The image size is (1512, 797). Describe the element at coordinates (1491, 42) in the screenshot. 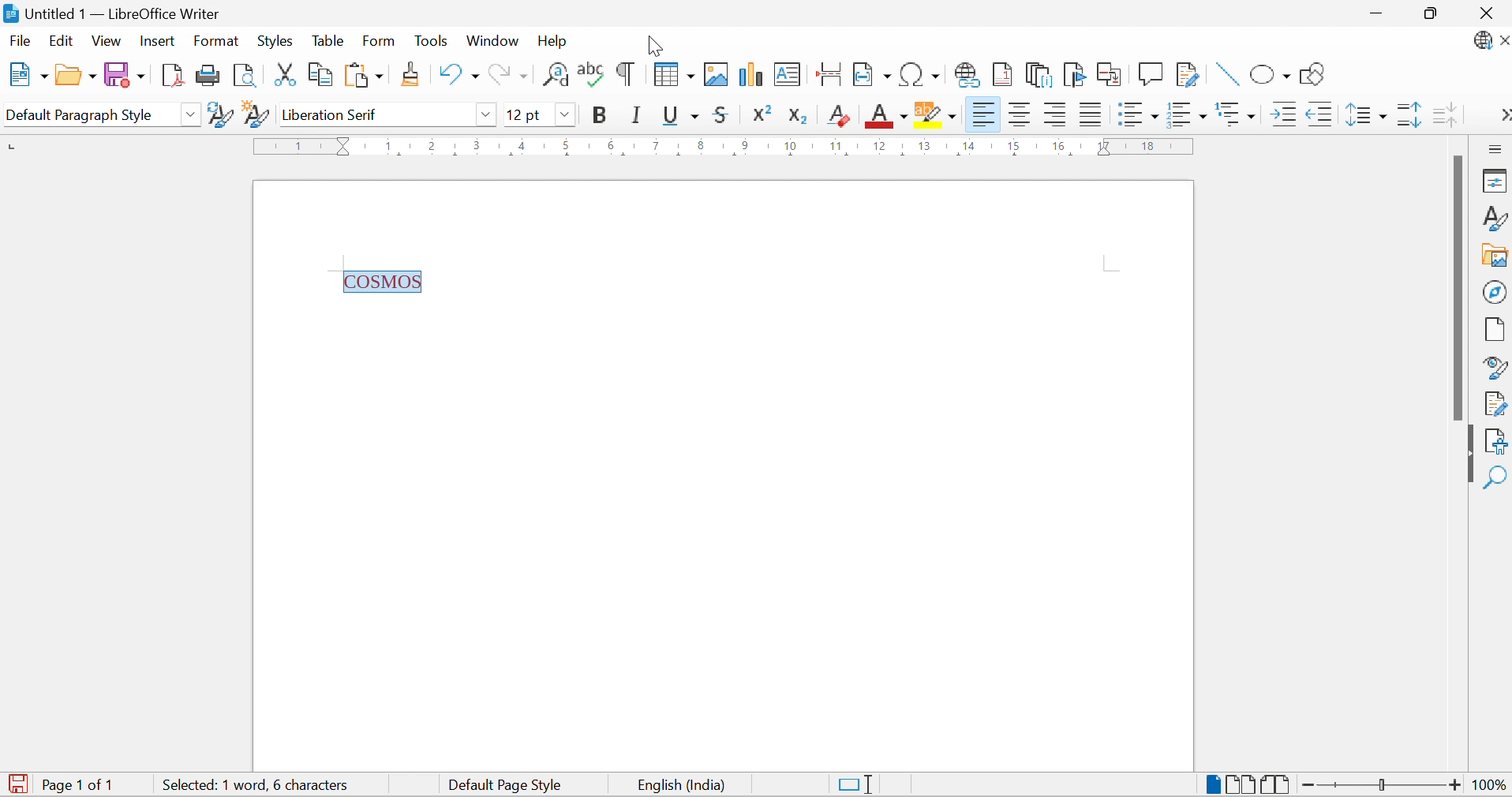

I see `LibreOffice Update Available` at that location.